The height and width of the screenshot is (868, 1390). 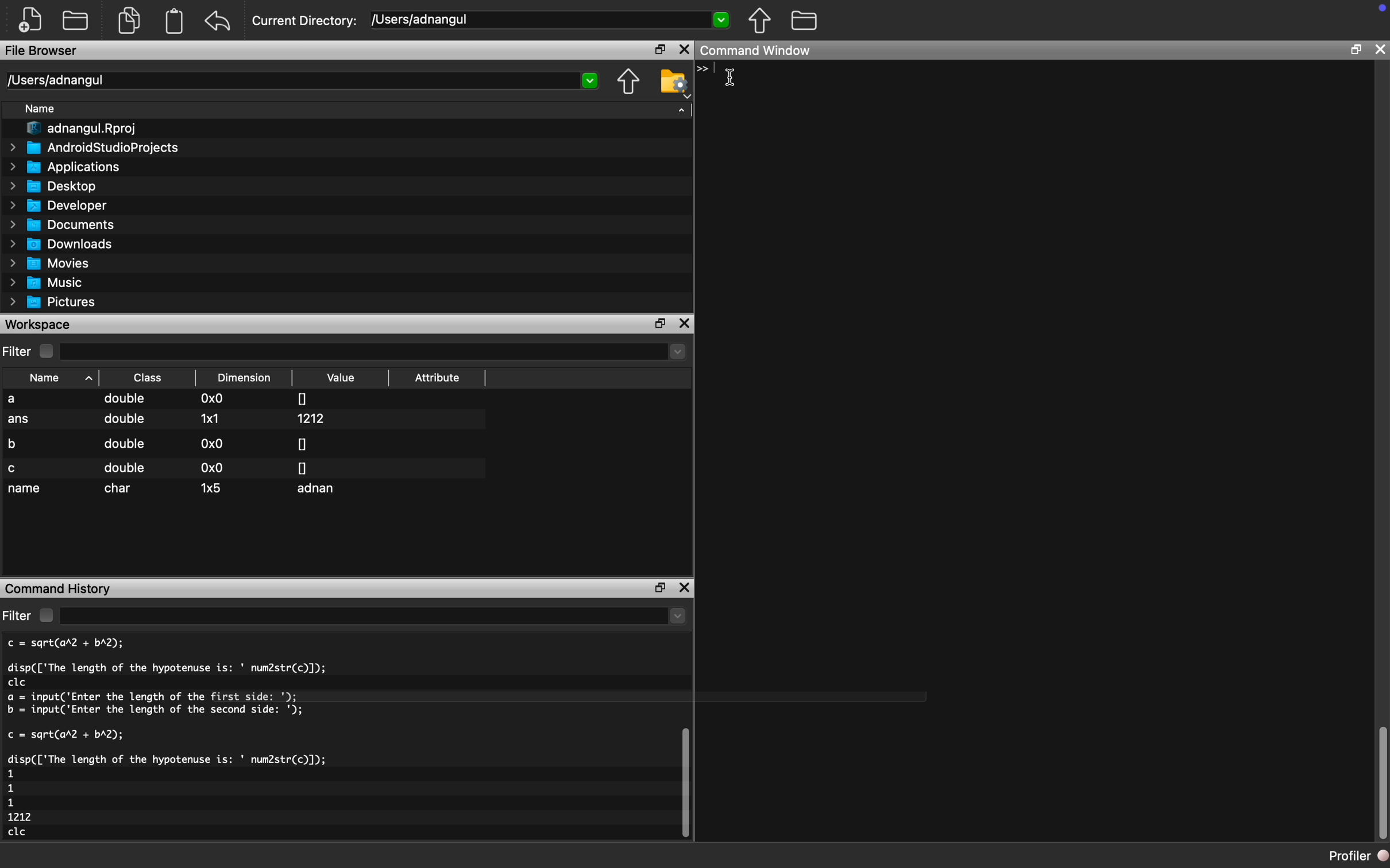 I want to click on typing cursor, so click(x=706, y=75).